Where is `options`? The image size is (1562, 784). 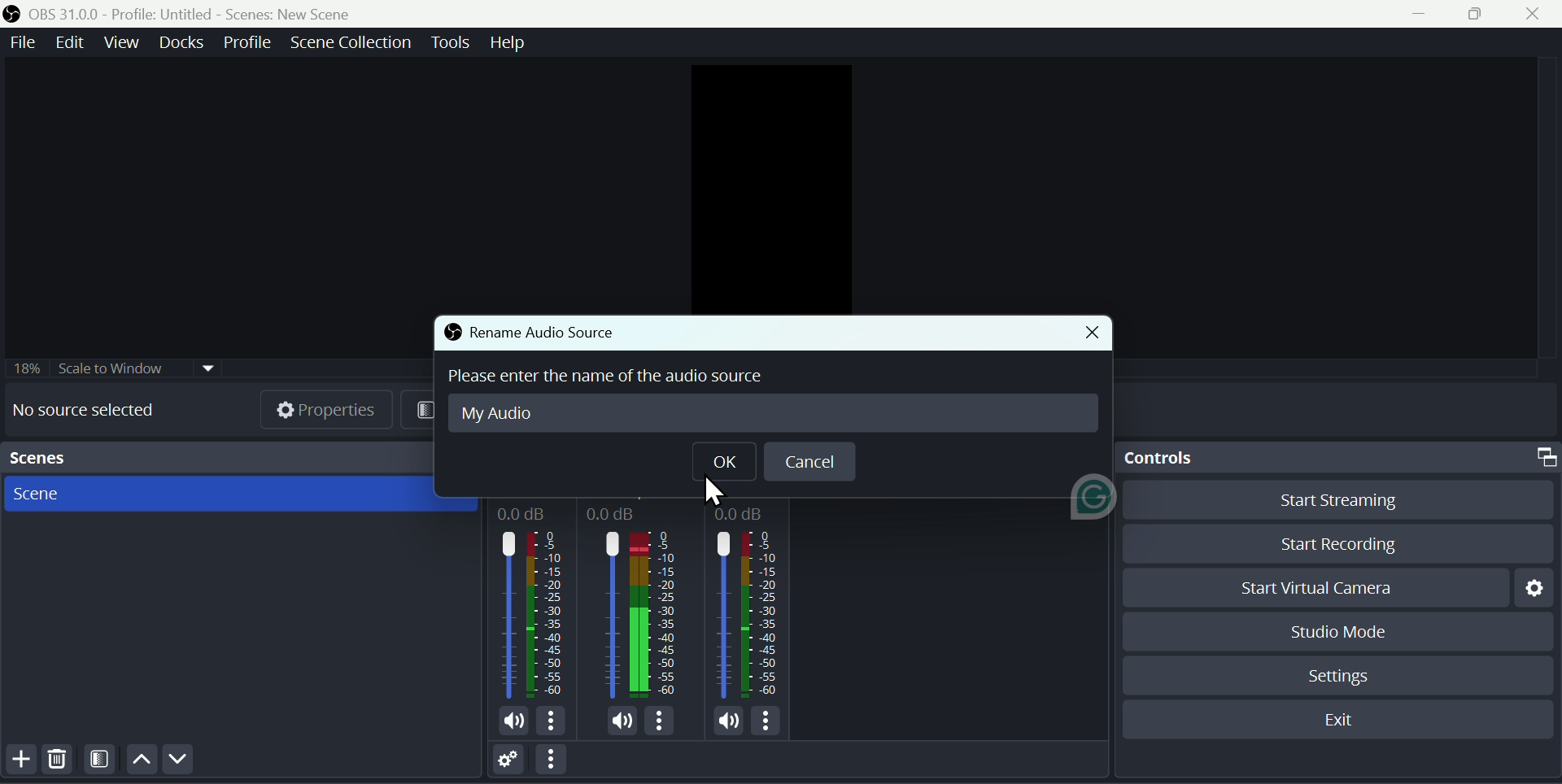 options is located at coordinates (552, 760).